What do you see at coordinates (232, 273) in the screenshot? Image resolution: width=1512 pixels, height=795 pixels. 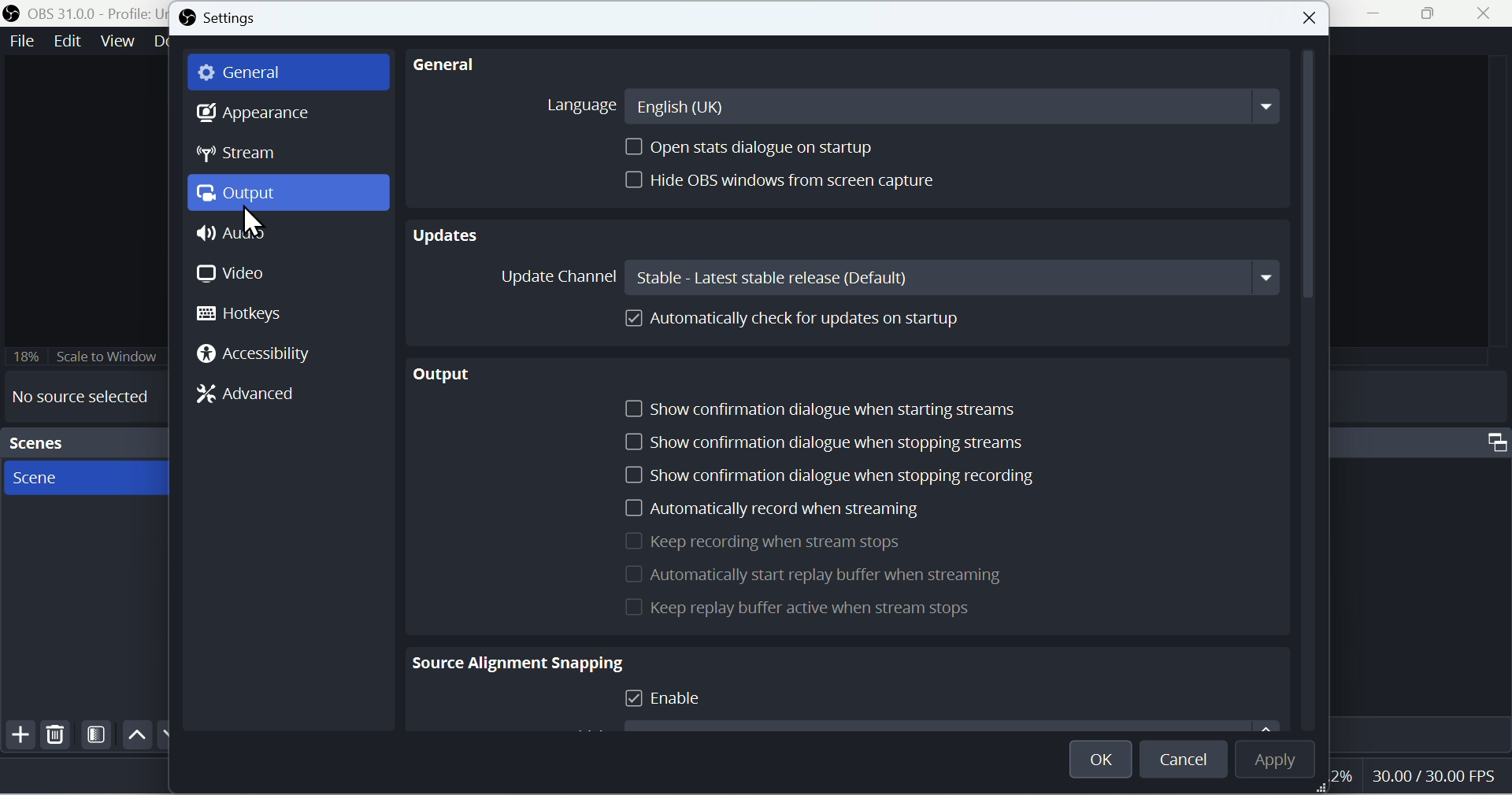 I see `Video` at bounding box center [232, 273].